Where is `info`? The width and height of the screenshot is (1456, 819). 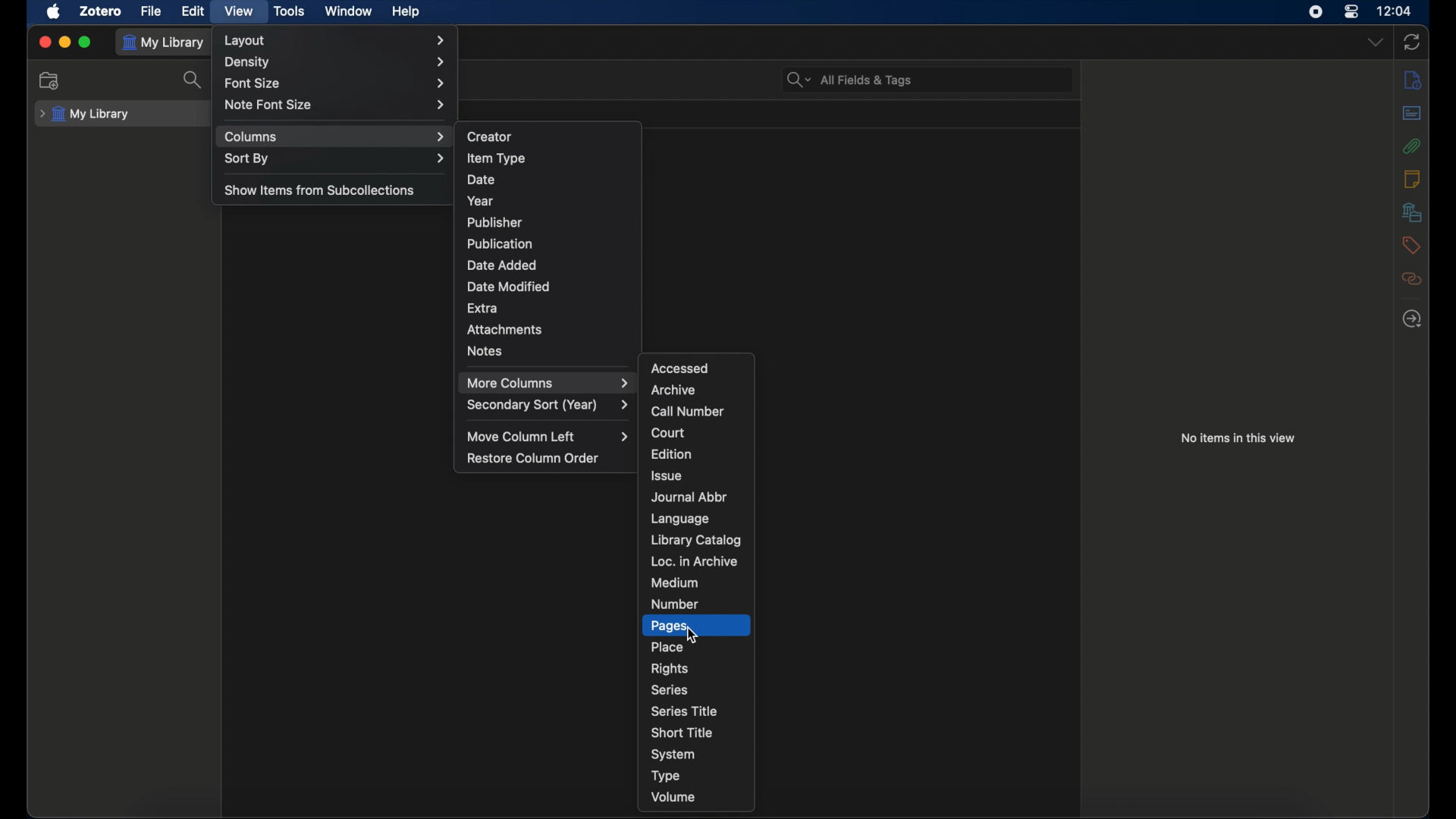 info is located at coordinates (1412, 80).